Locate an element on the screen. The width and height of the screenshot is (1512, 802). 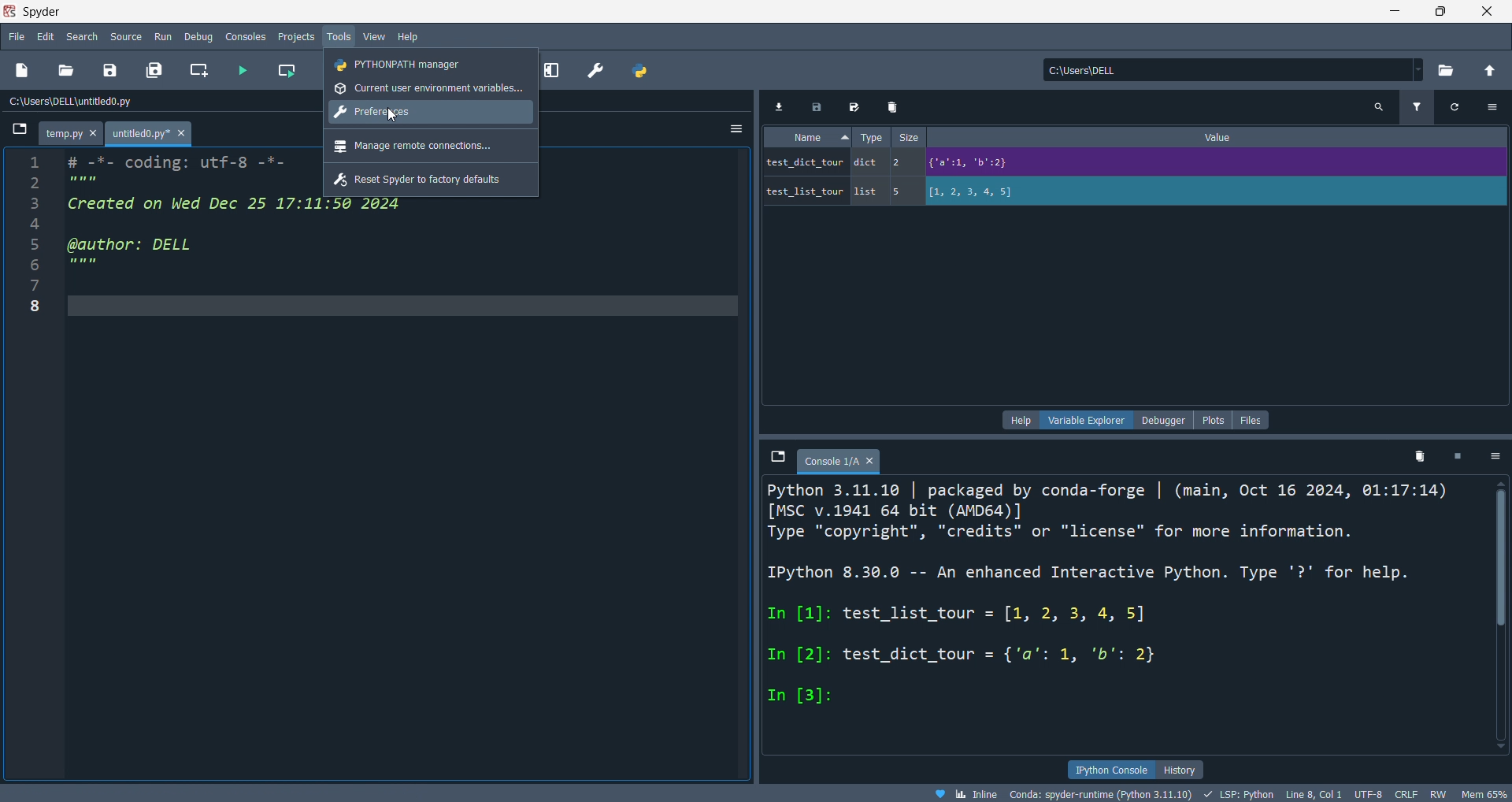
close is located at coordinates (1488, 13).